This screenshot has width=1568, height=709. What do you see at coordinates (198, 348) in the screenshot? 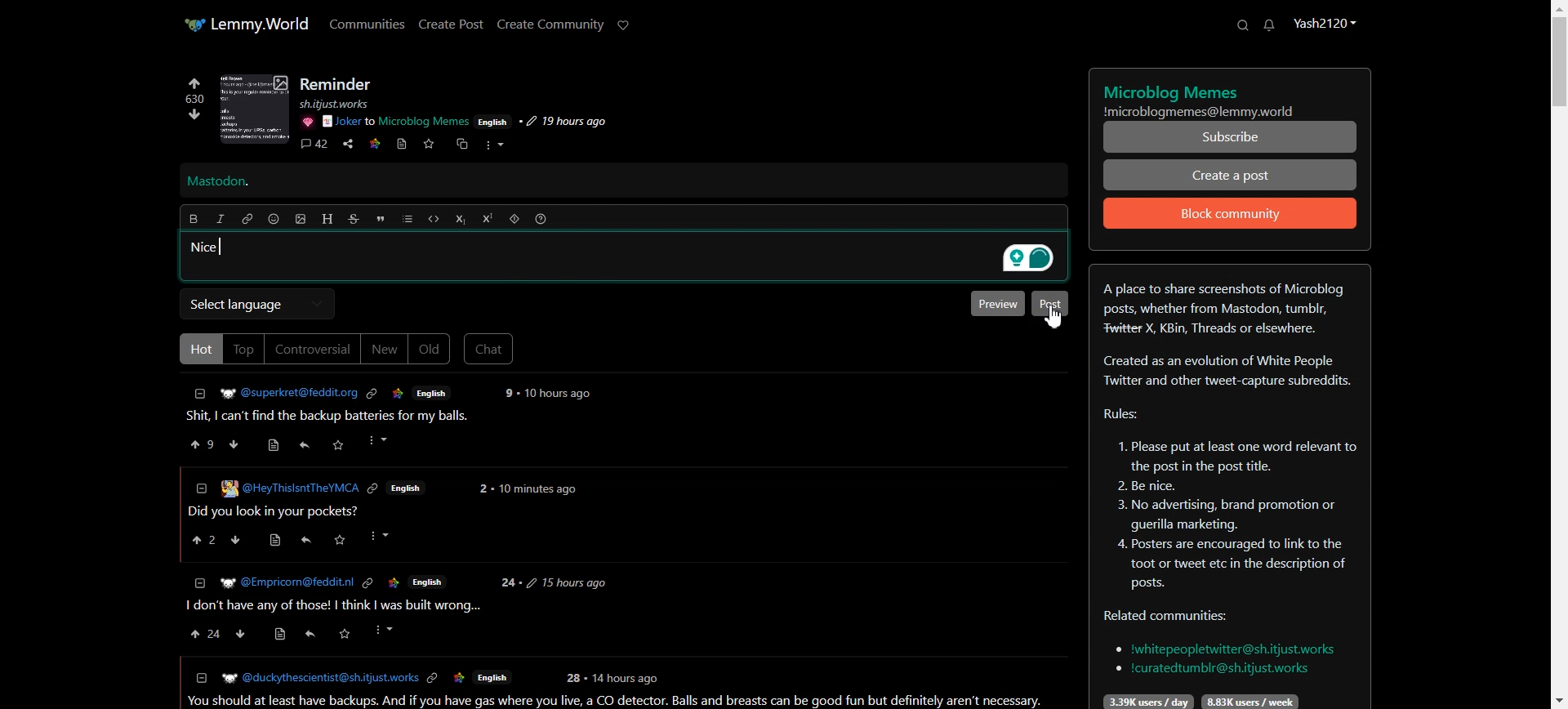
I see `Hot` at bounding box center [198, 348].